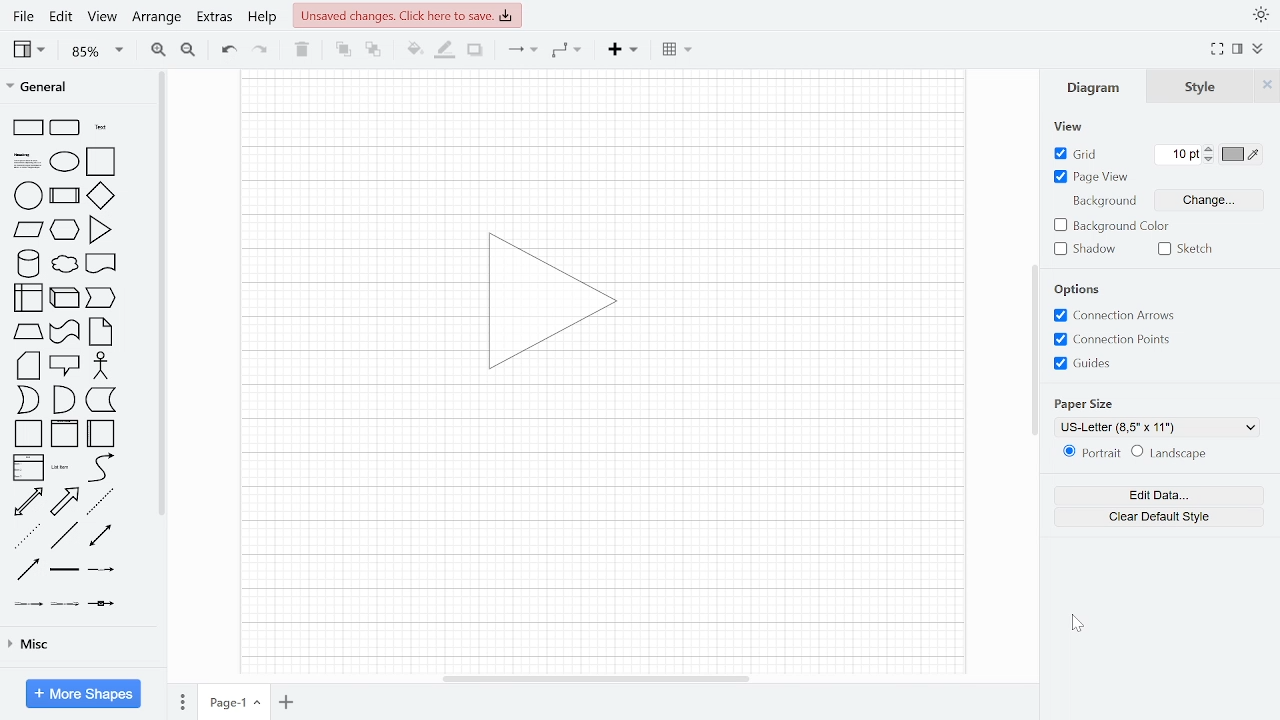 The height and width of the screenshot is (720, 1280). Describe the element at coordinates (64, 195) in the screenshot. I see `Process` at that location.